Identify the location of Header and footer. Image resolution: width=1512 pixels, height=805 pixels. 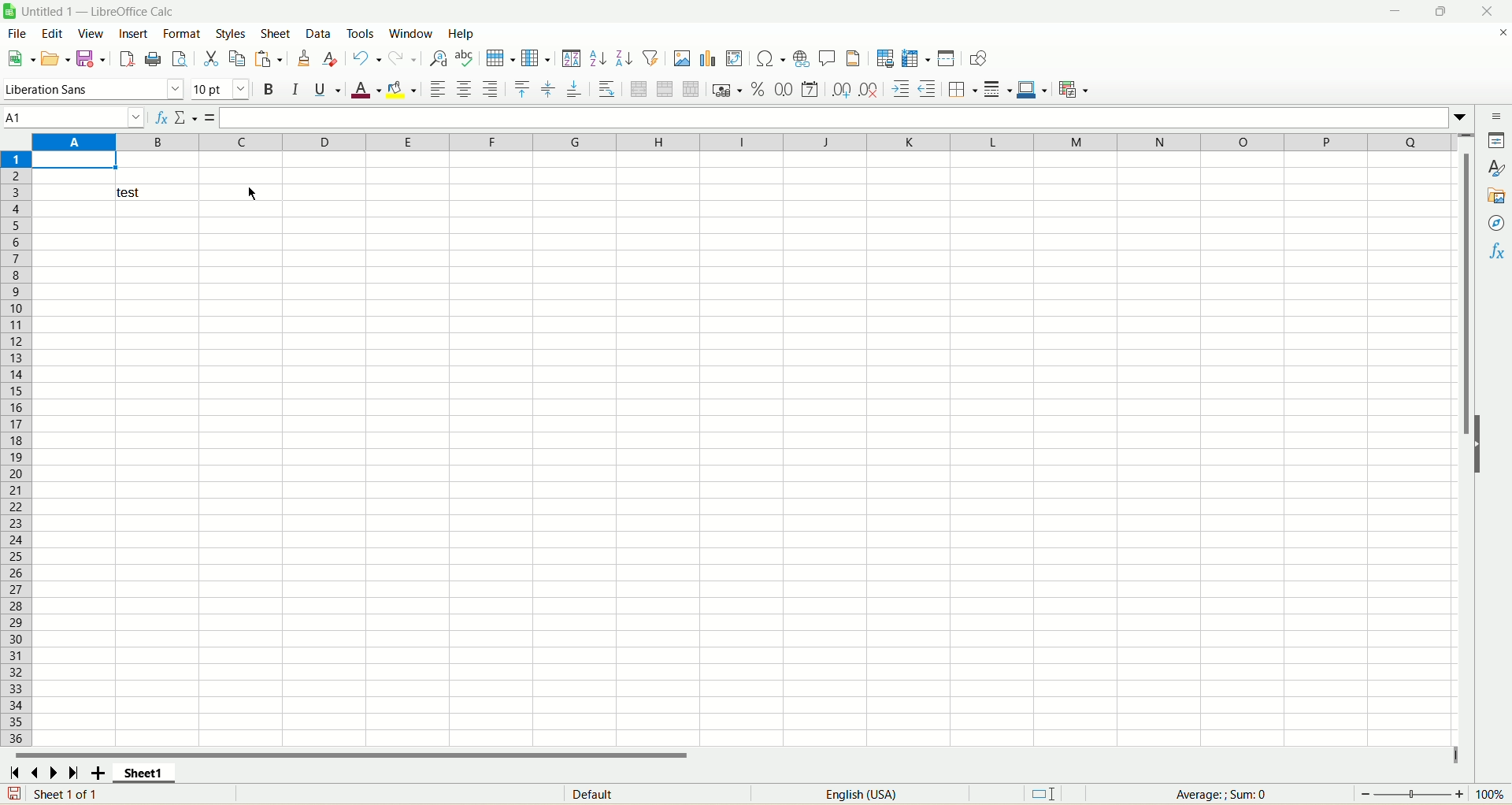
(853, 58).